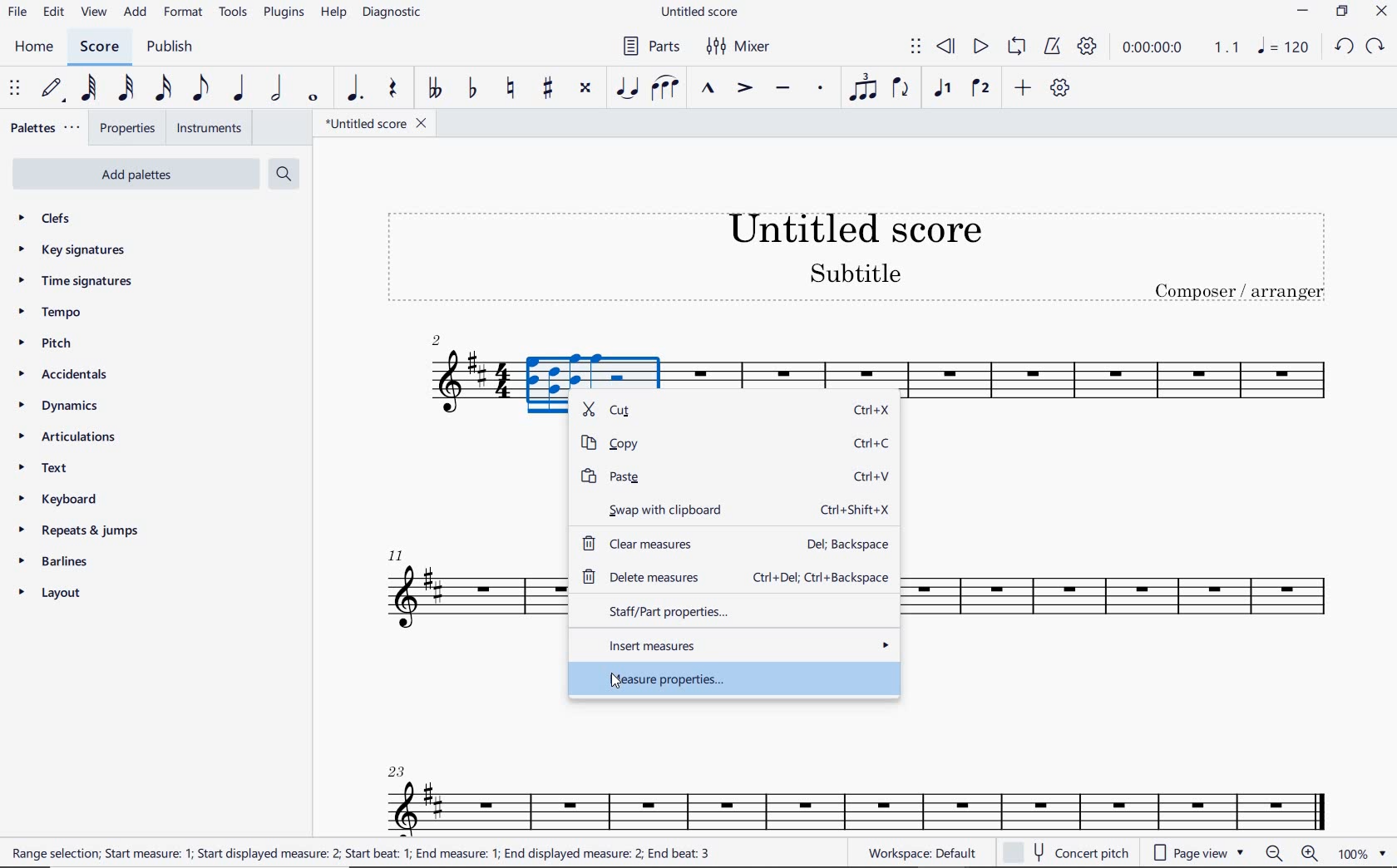 This screenshot has width=1397, height=868. I want to click on swap with clipboard, so click(736, 510).